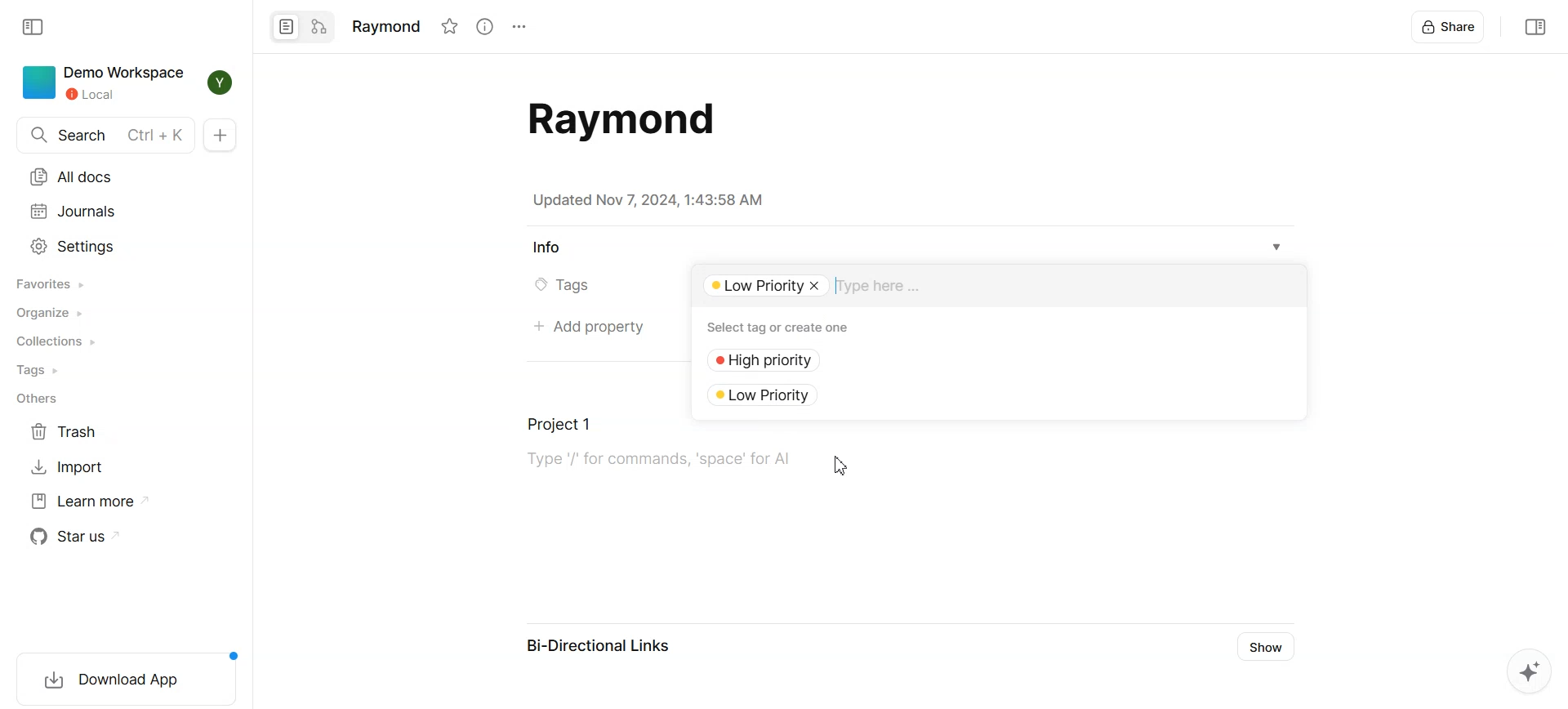 The width and height of the screenshot is (1568, 709). I want to click on Search doc, so click(105, 135).